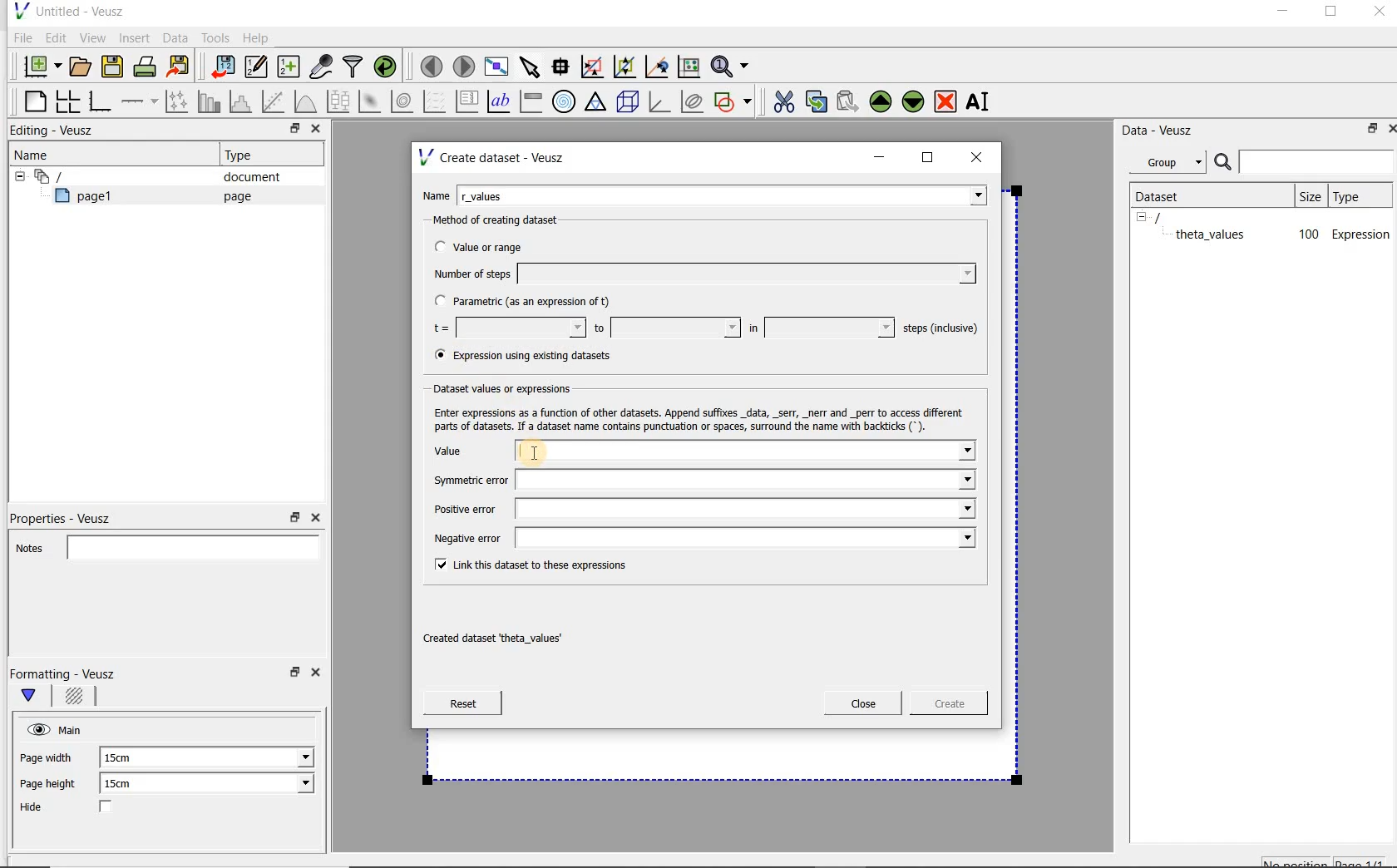 The width and height of the screenshot is (1397, 868). I want to click on Group, so click(1172, 165).